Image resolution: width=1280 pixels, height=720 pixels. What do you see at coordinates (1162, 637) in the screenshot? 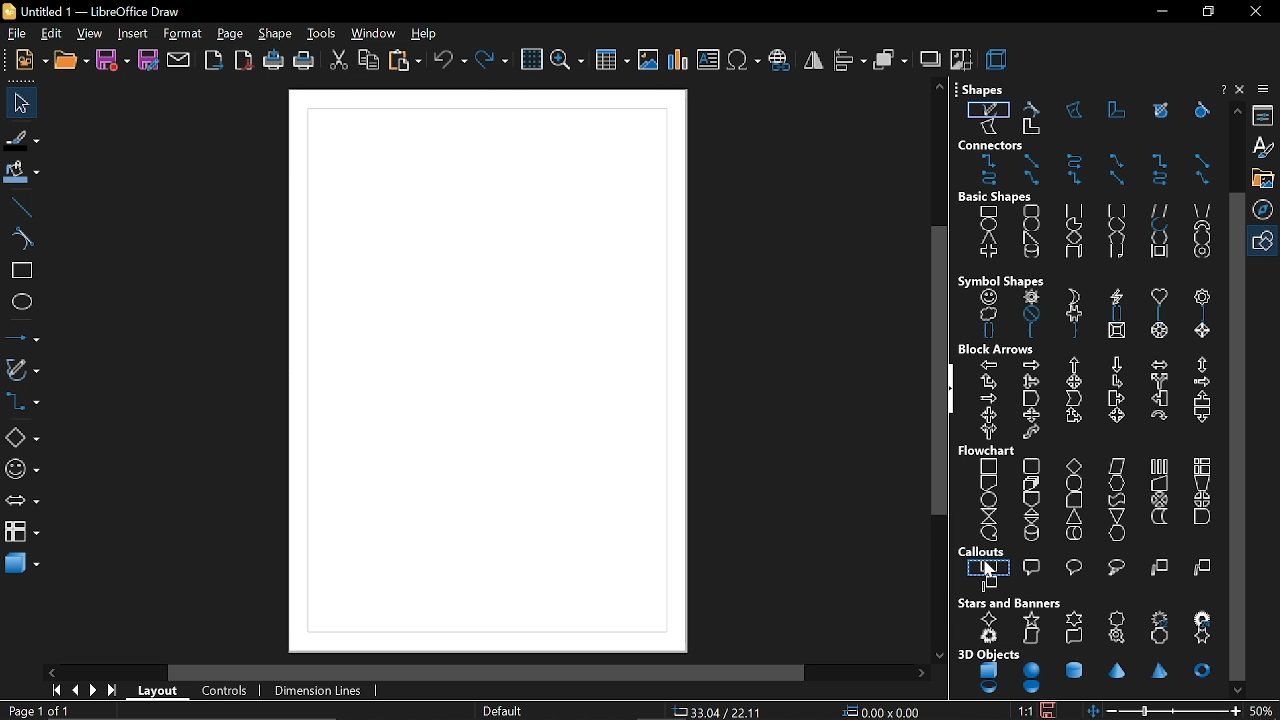
I see `doorplate` at bounding box center [1162, 637].